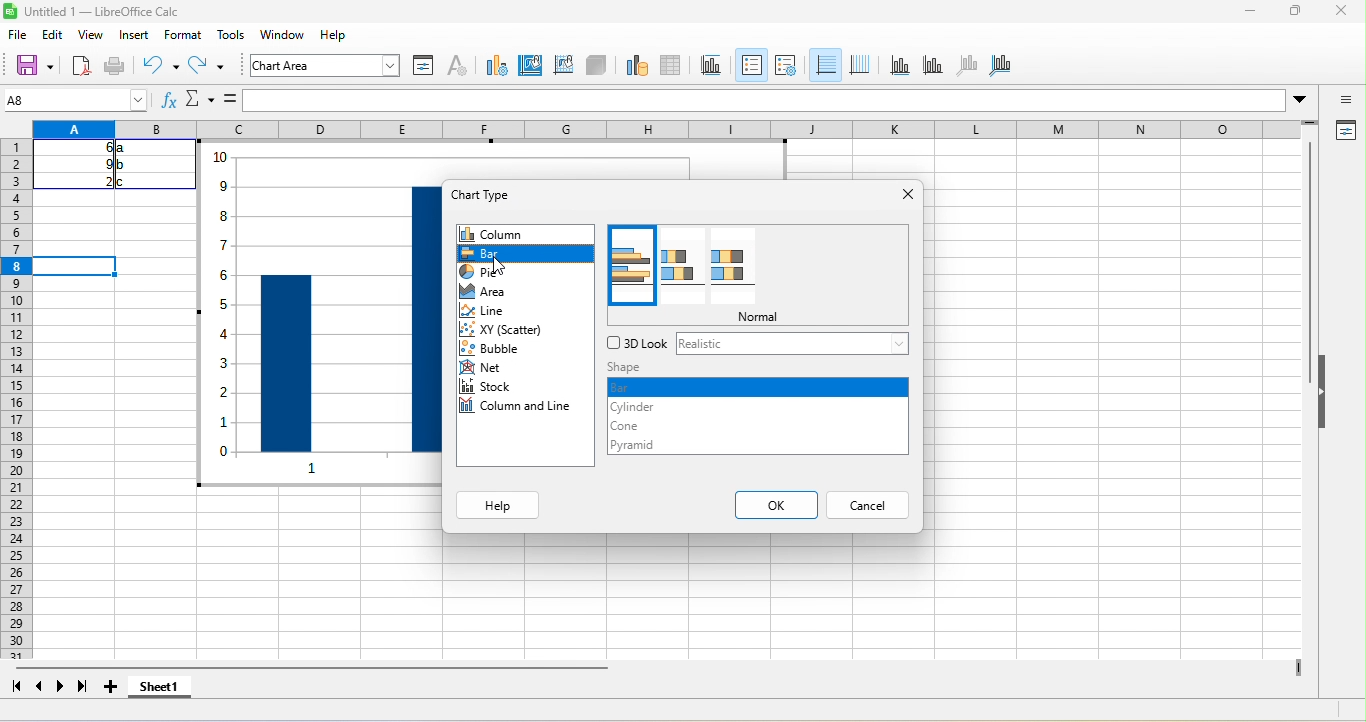  I want to click on cell selected, so click(78, 266).